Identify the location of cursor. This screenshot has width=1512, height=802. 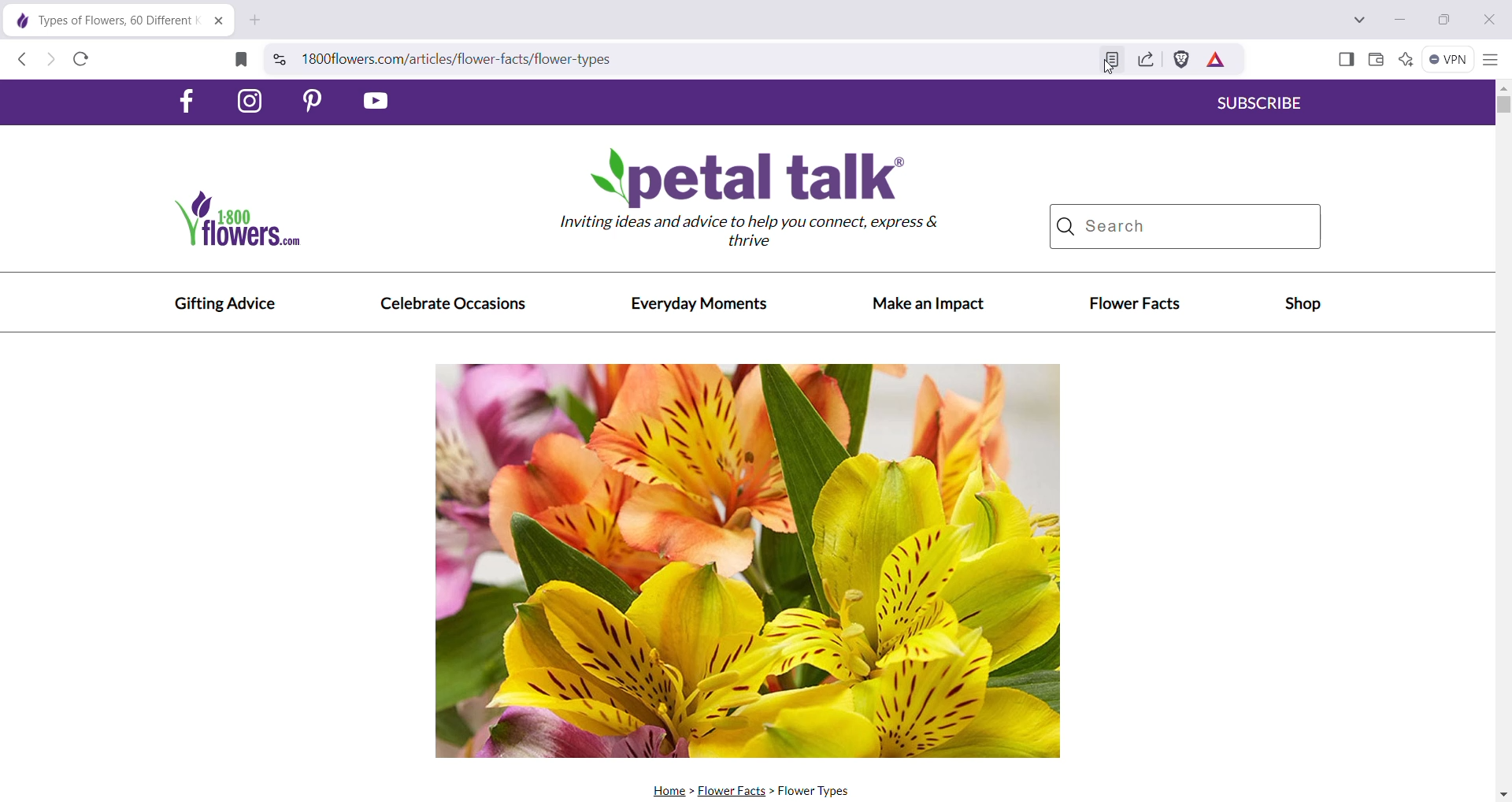
(1108, 69).